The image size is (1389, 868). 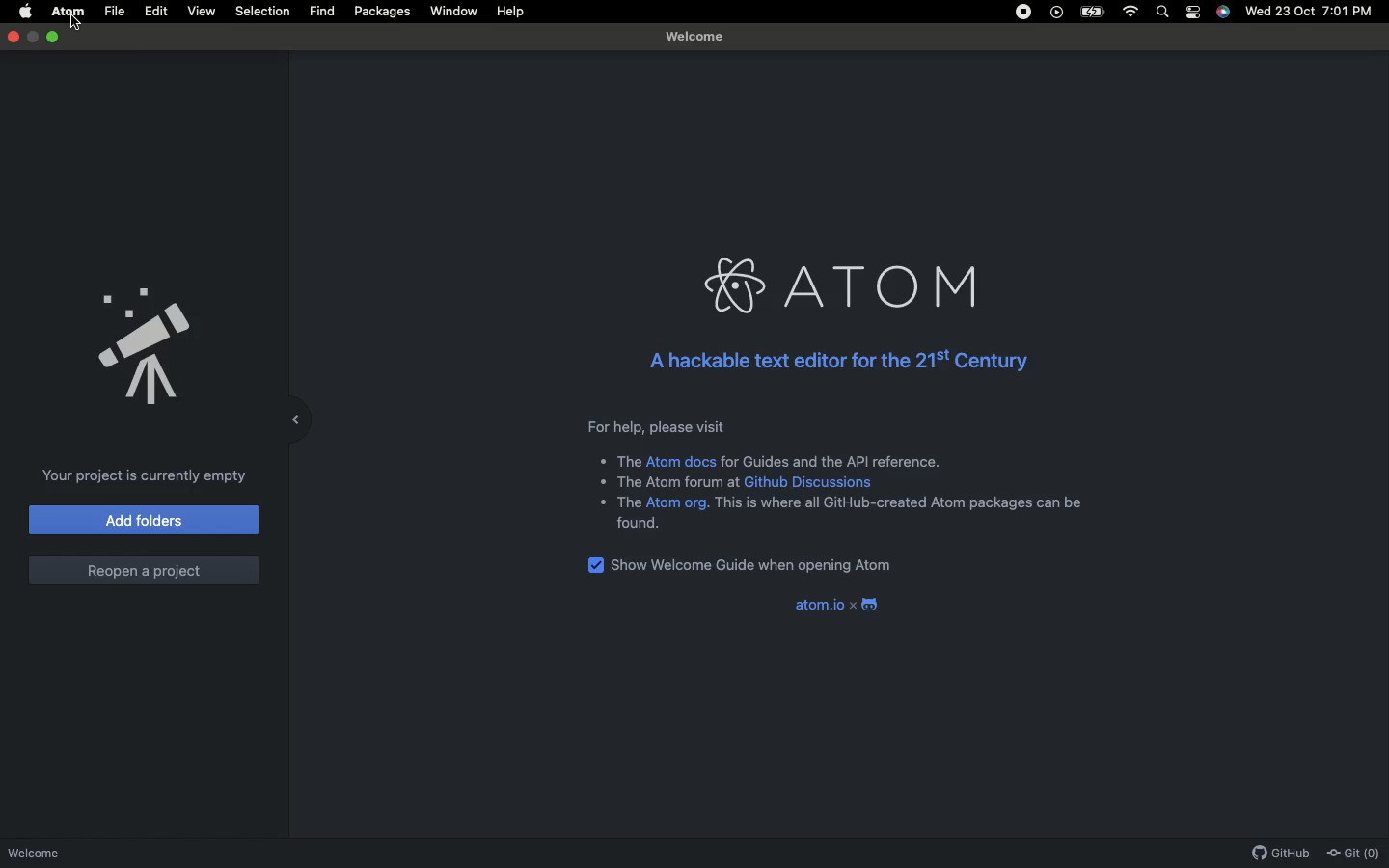 I want to click on Close, so click(x=14, y=36).